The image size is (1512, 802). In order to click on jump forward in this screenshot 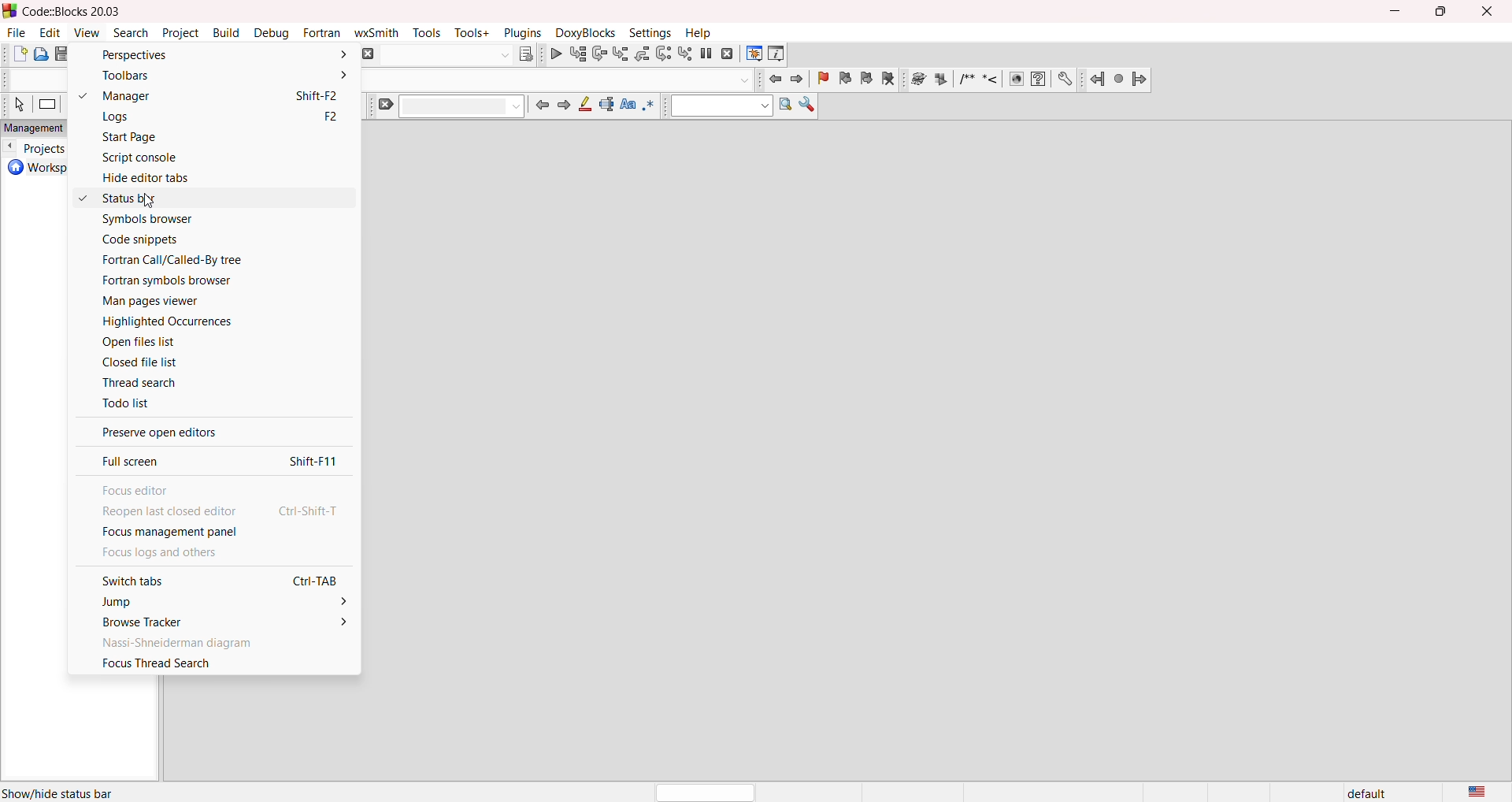, I will do `click(566, 107)`.